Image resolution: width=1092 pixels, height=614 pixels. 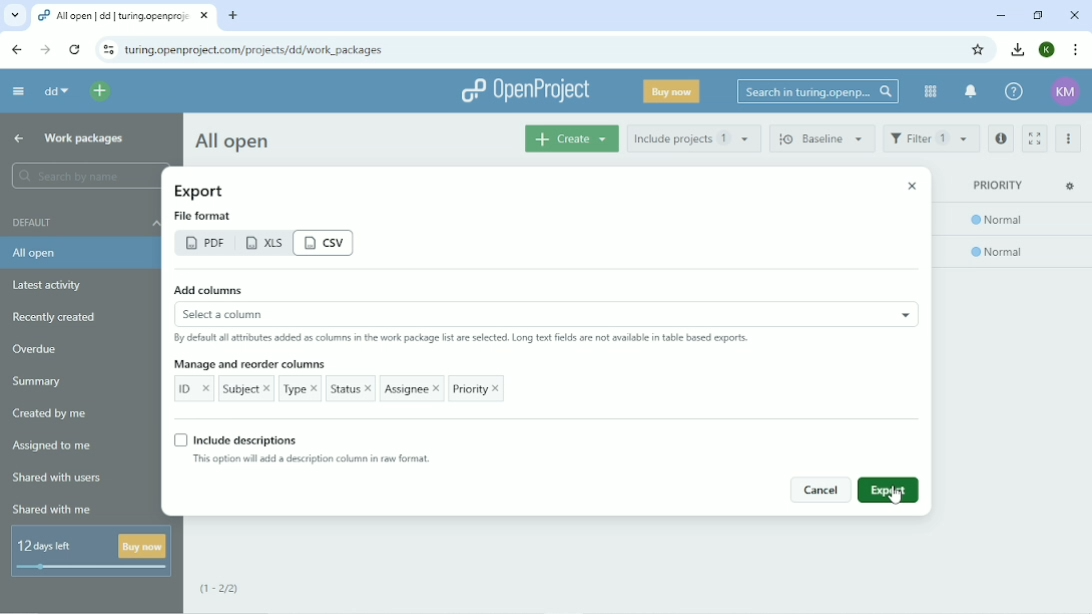 What do you see at coordinates (225, 290) in the screenshot?
I see `Add columns` at bounding box center [225, 290].